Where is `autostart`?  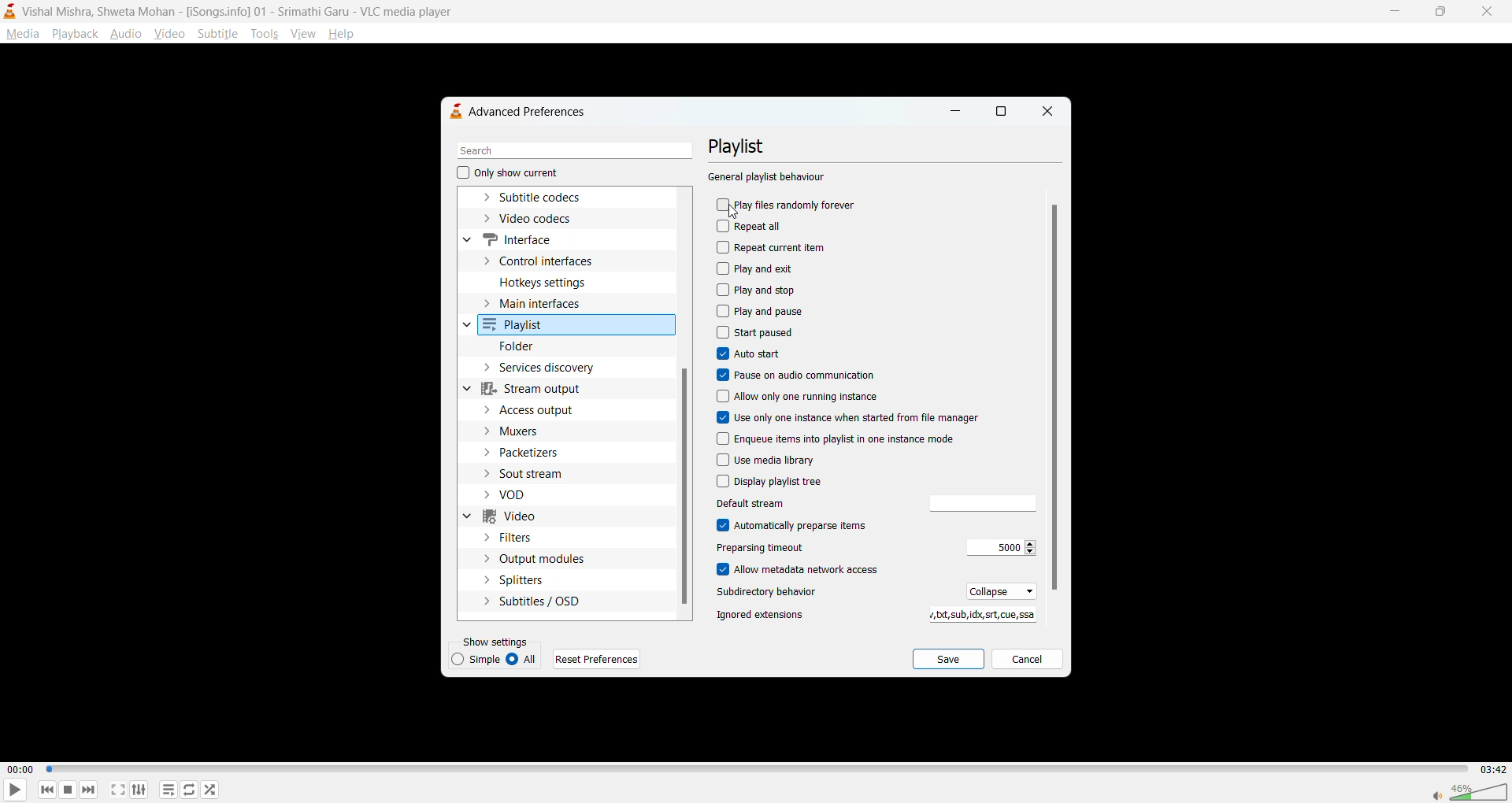
autostart is located at coordinates (750, 354).